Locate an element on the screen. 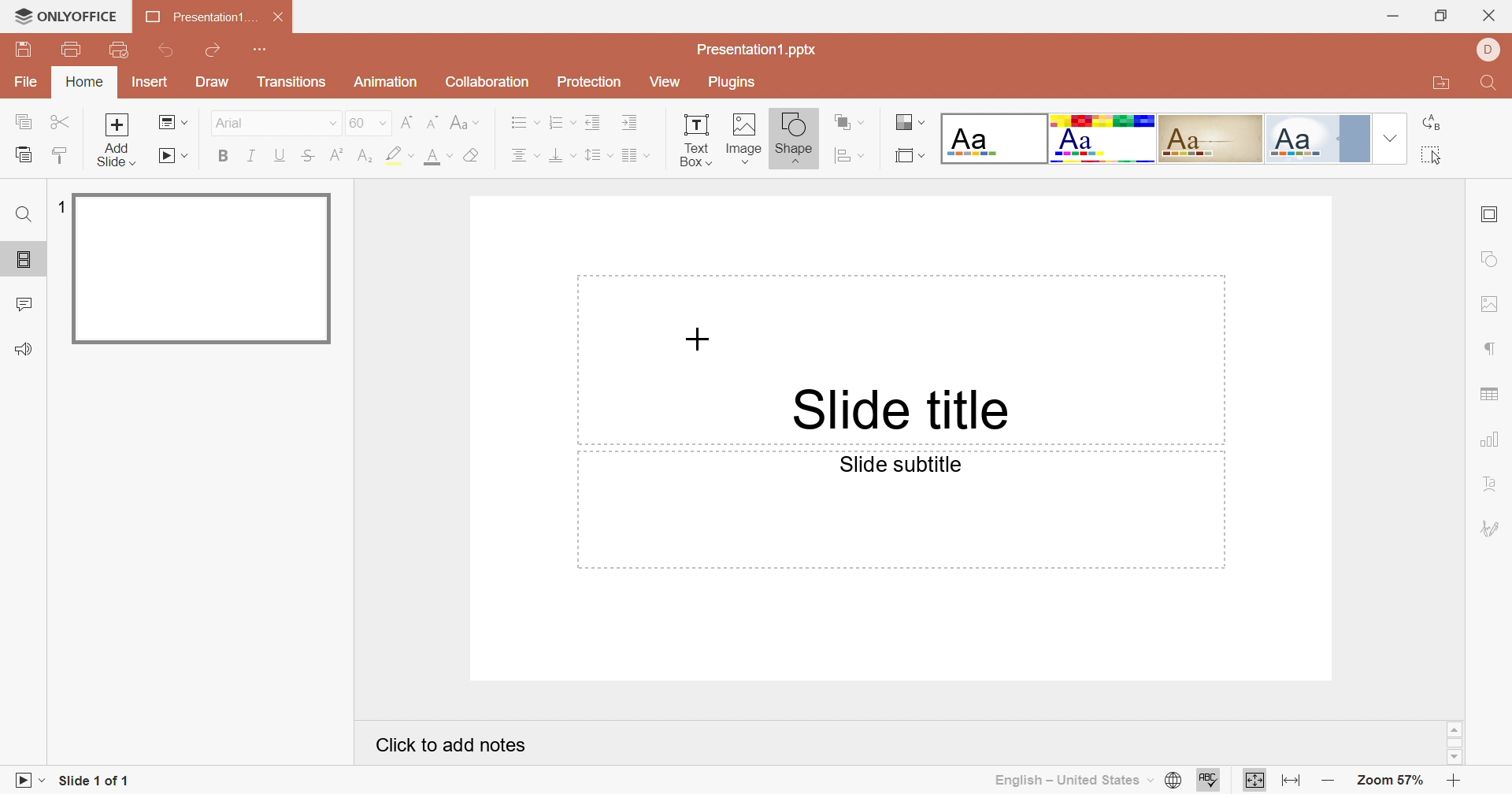  Redo is located at coordinates (211, 51).